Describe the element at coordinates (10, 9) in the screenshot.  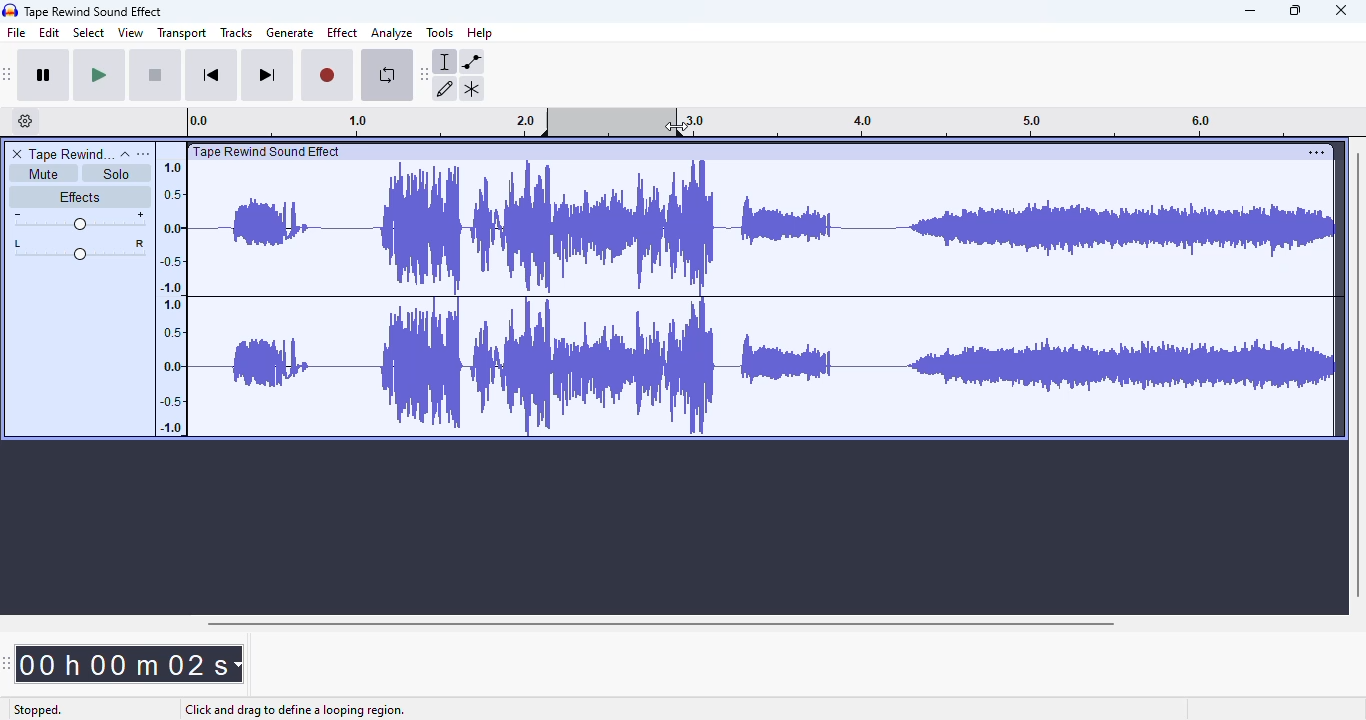
I see `logo` at that location.